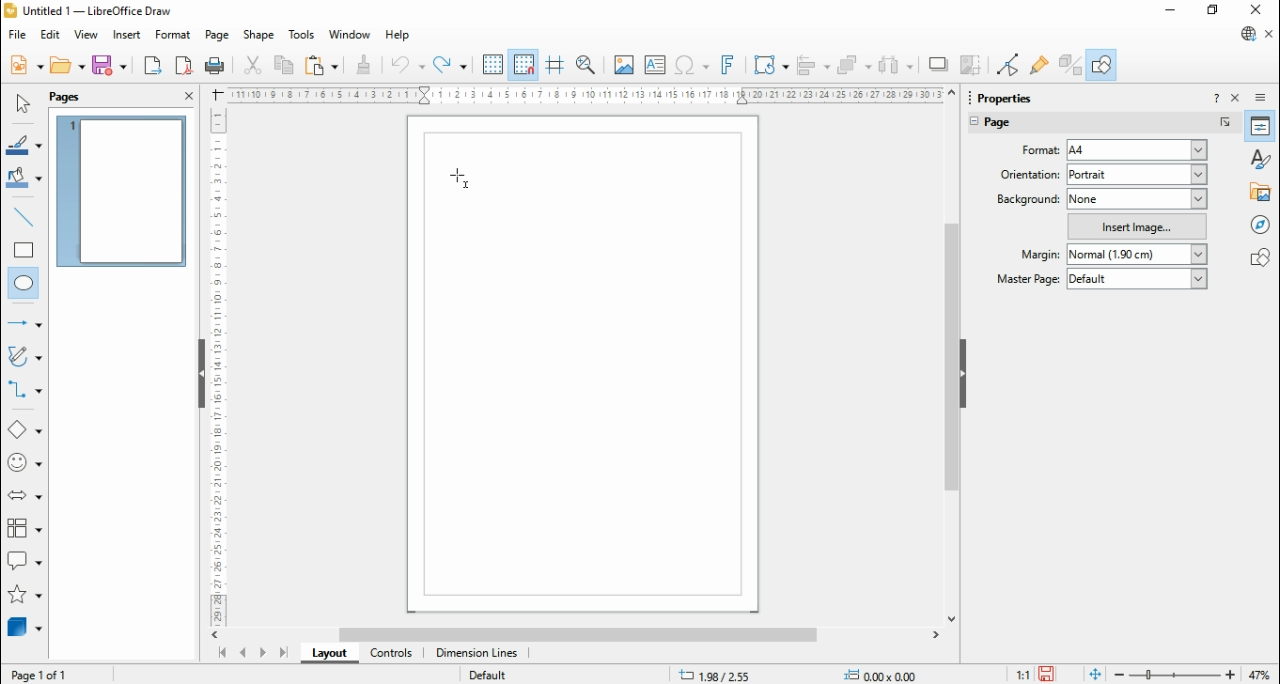  I want to click on close windo, so click(1259, 11).